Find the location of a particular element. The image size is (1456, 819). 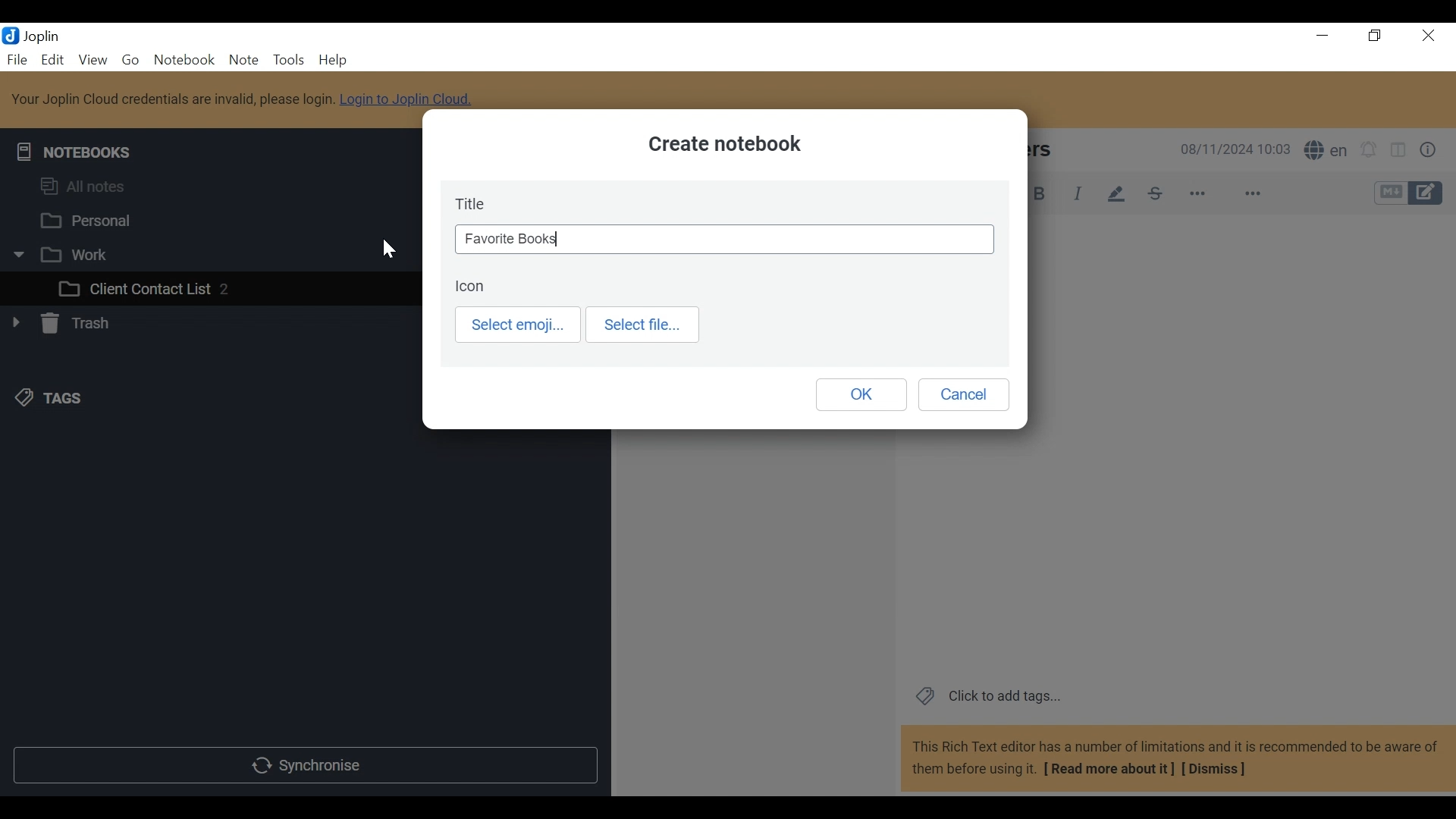

Your Joplin Cloud credentials are invalid, please login. Login to Joplin Cloud. is located at coordinates (246, 99).